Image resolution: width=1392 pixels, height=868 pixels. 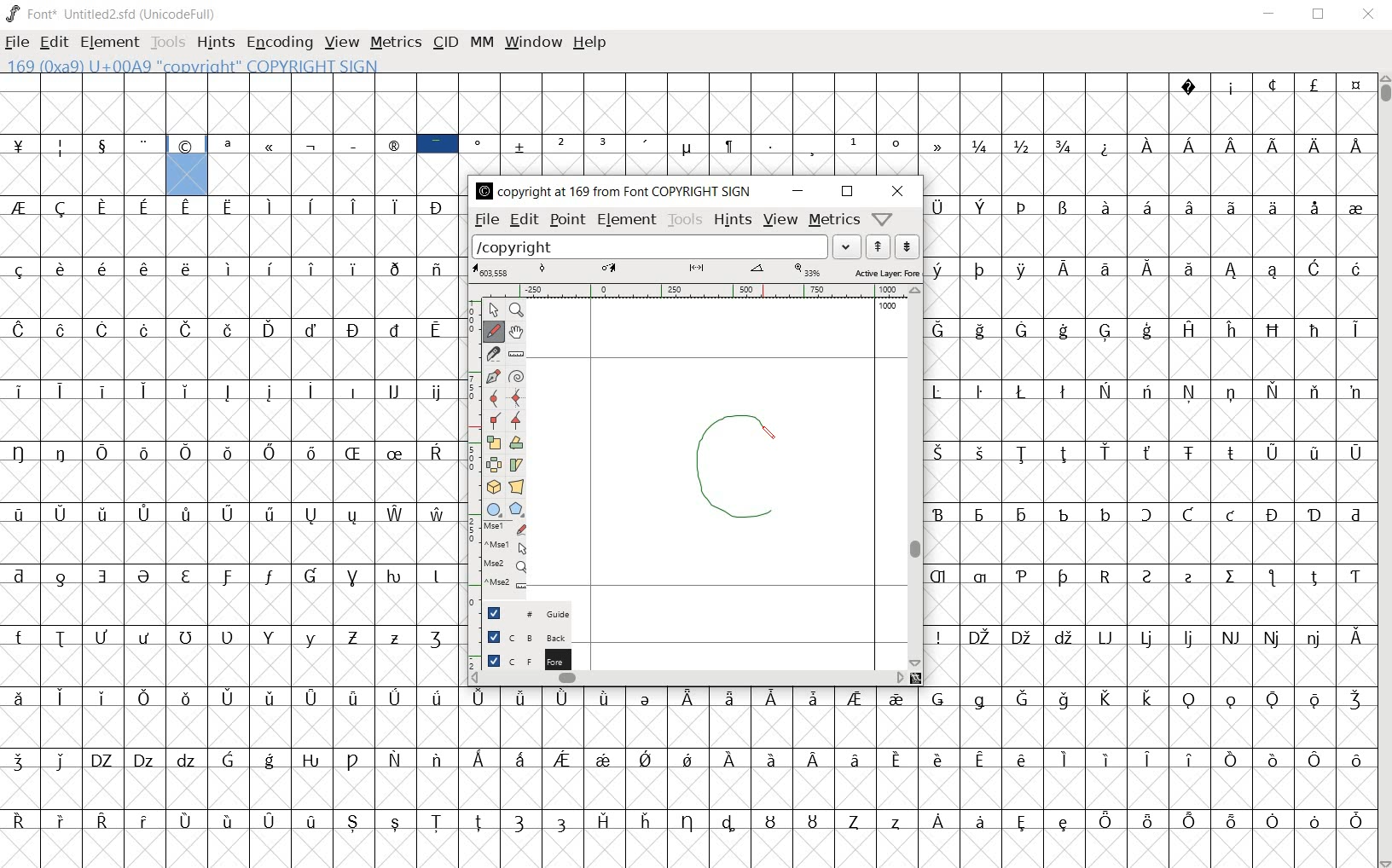 What do you see at coordinates (519, 398) in the screenshot?
I see `add a curve point always either horizontal or vertical` at bounding box center [519, 398].